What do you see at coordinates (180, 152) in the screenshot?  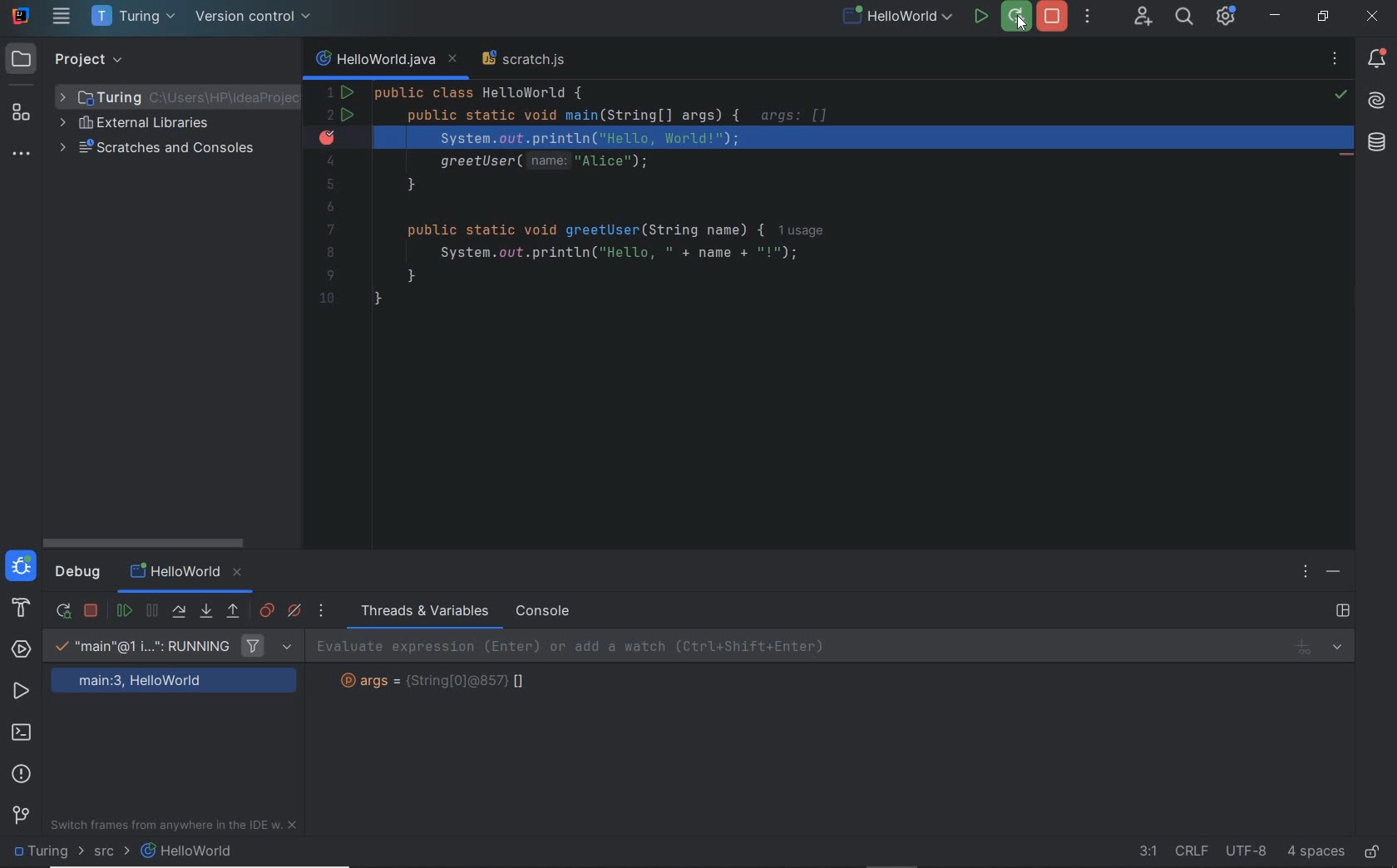 I see `scratches and consoles` at bounding box center [180, 152].